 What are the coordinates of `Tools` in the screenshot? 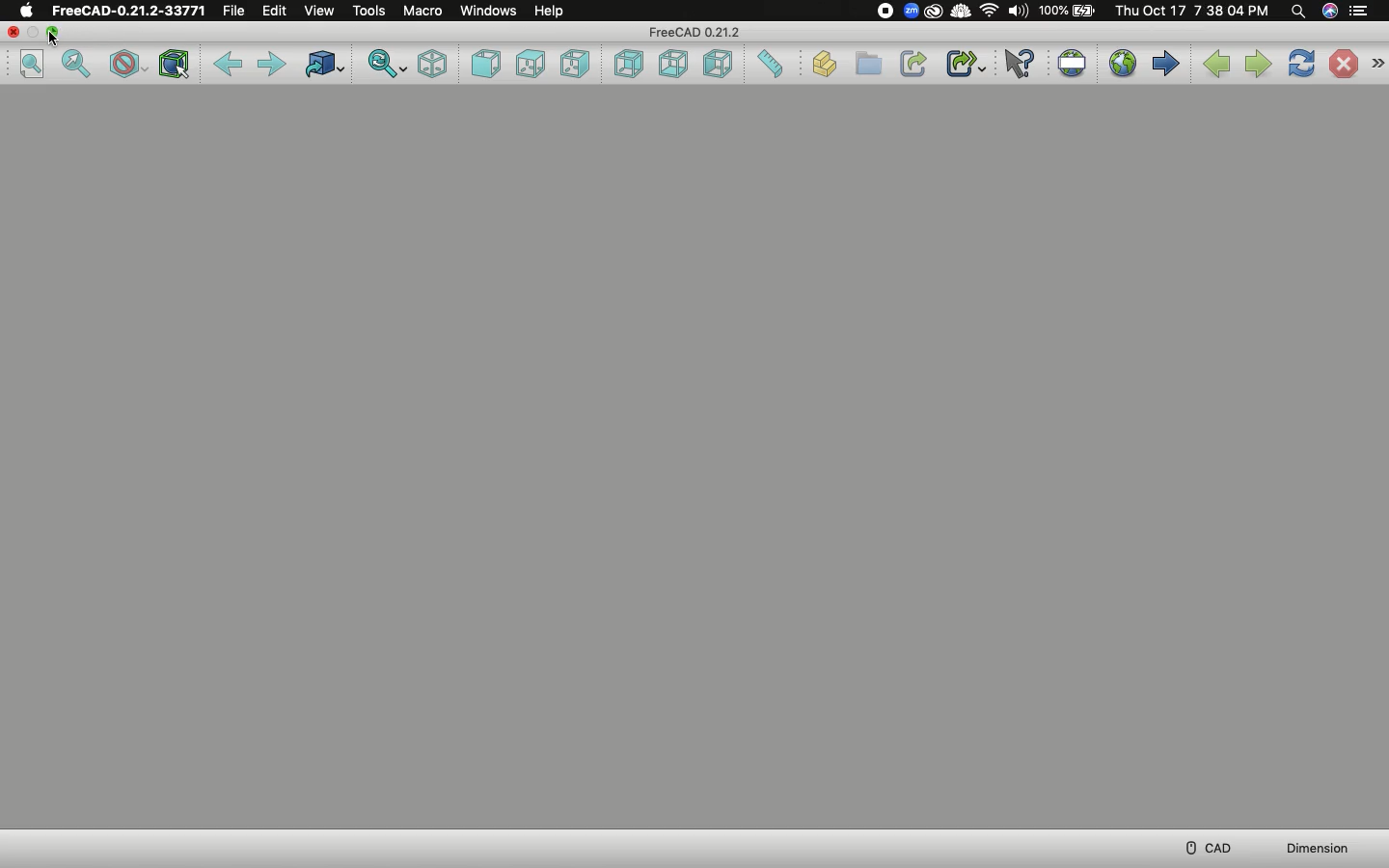 It's located at (368, 11).